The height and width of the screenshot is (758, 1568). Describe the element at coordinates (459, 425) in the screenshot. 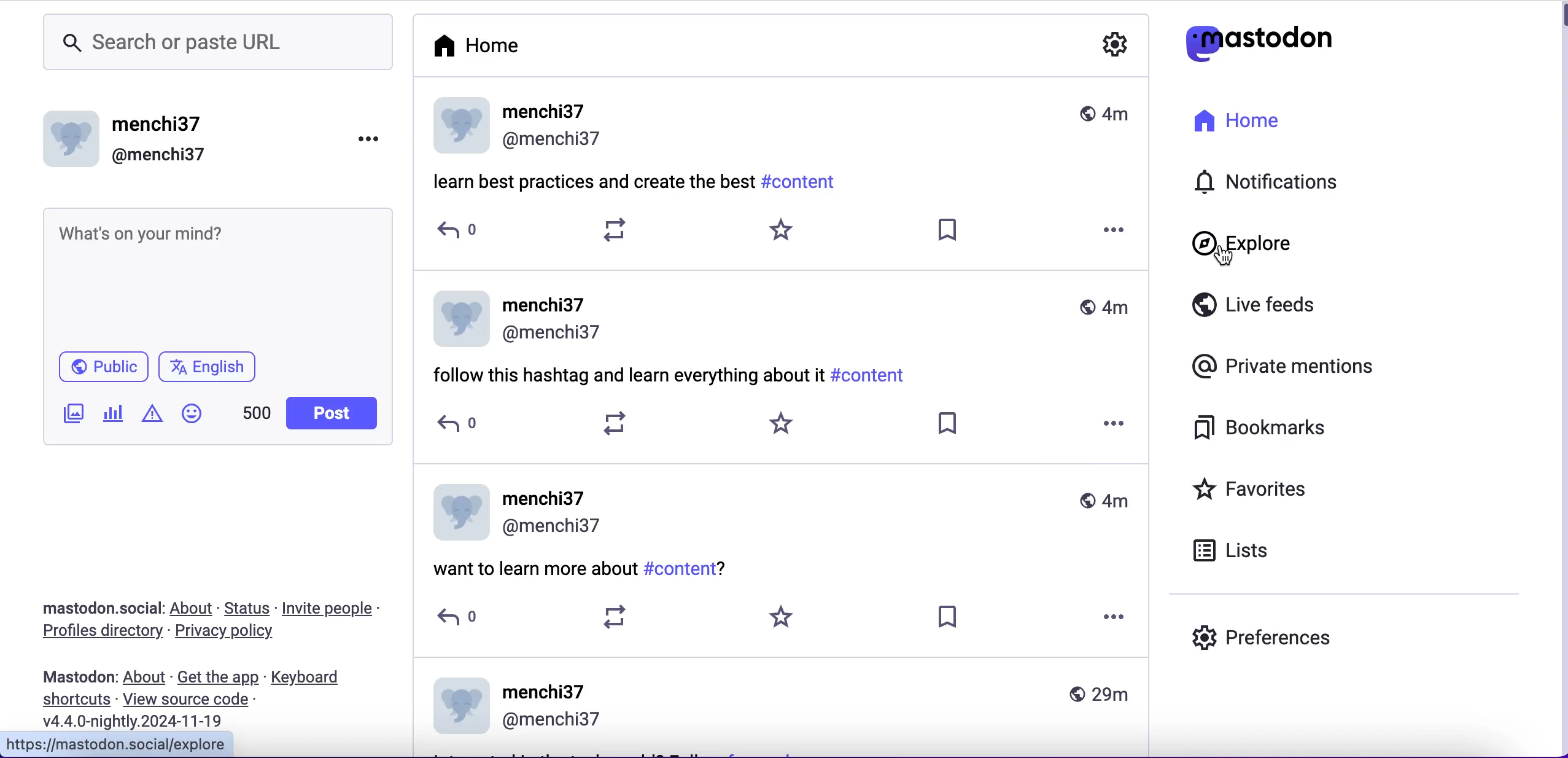

I see `reply` at that location.